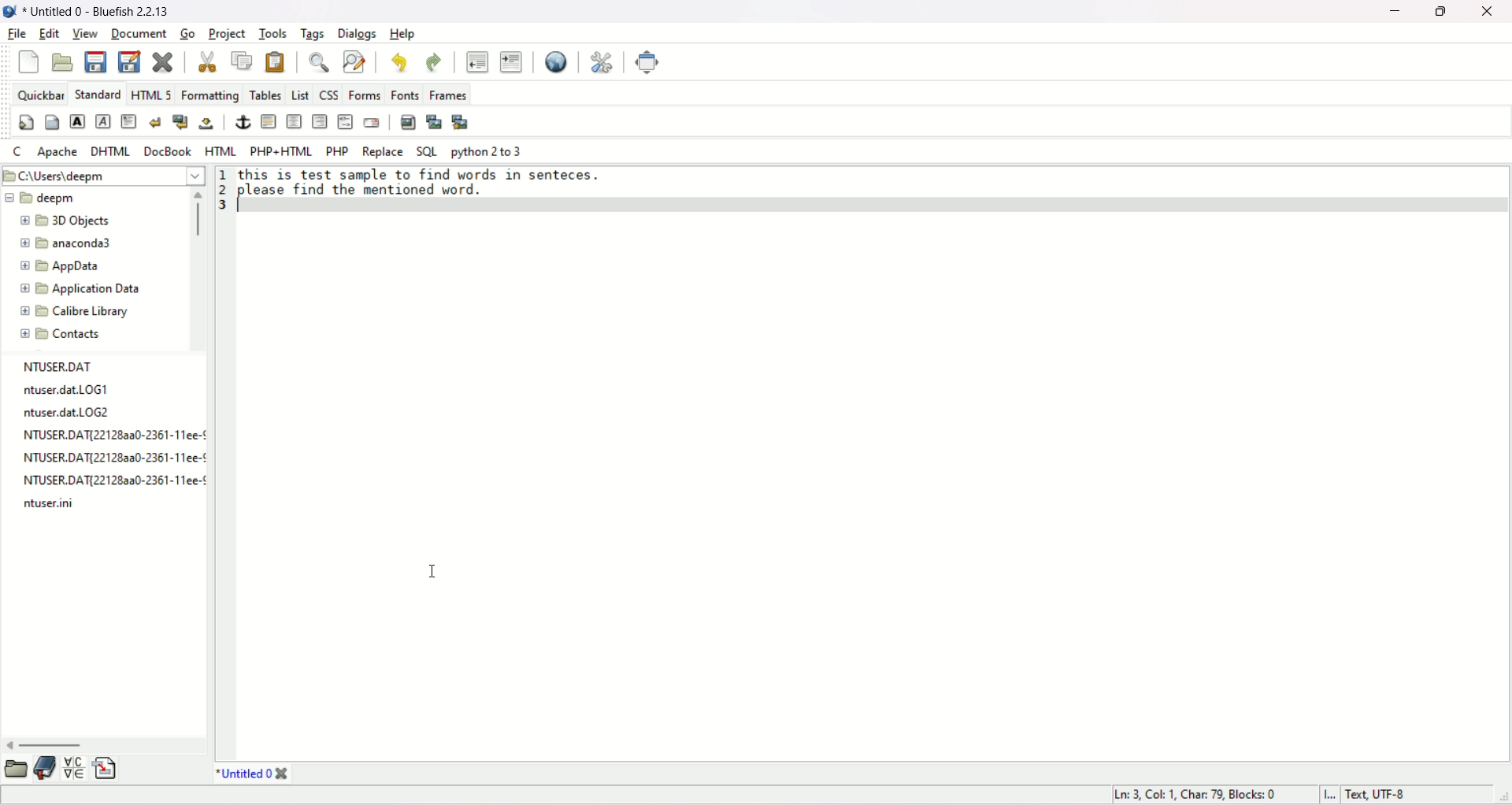 The image size is (1512, 805). I want to click on project, so click(226, 33).